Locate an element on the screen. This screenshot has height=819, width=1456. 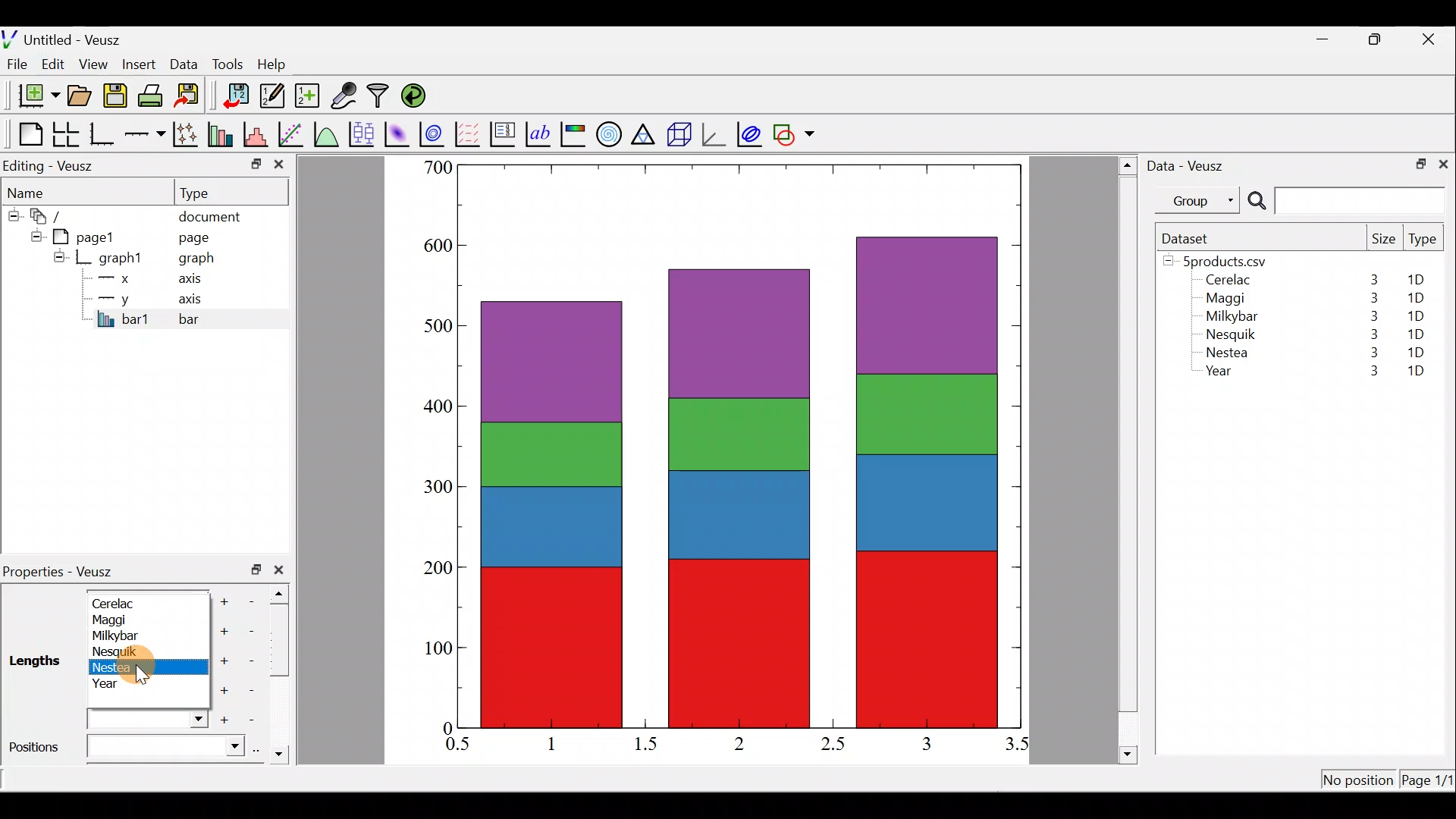
Add another item is located at coordinates (231, 720).